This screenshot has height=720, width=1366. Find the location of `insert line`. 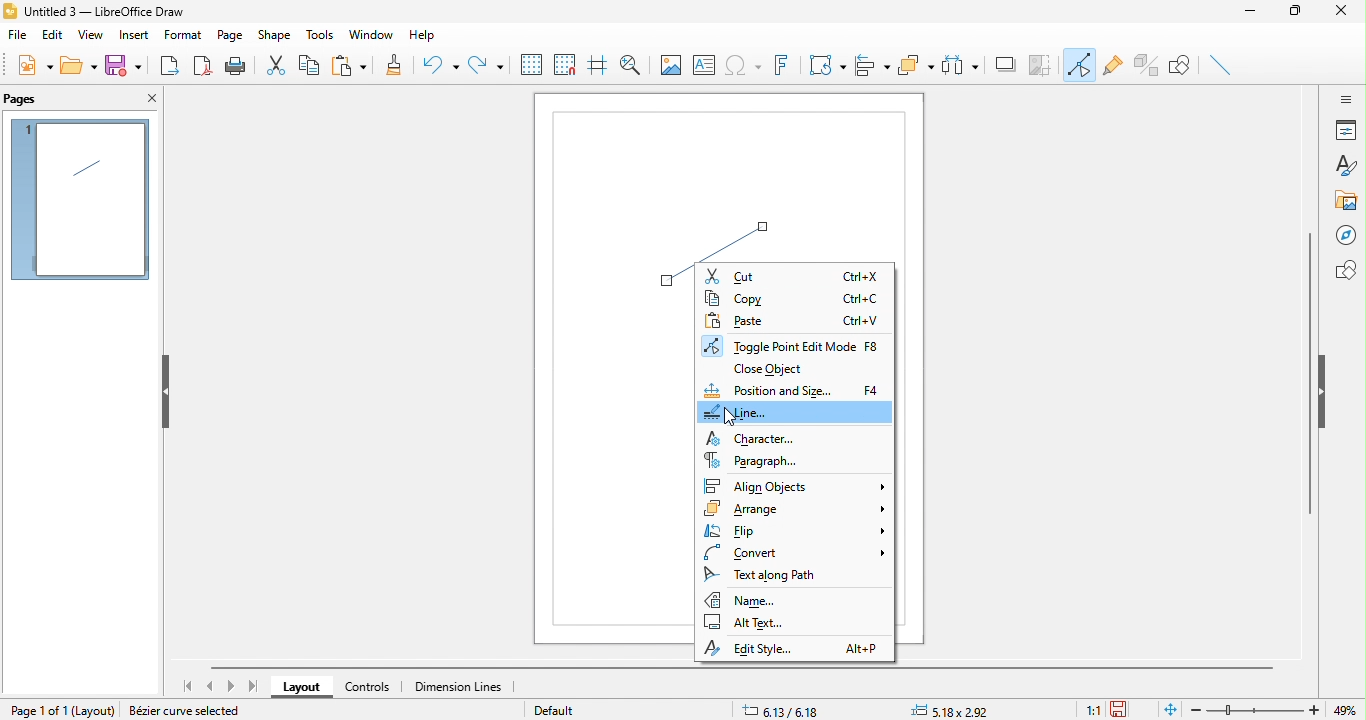

insert line is located at coordinates (1224, 66).